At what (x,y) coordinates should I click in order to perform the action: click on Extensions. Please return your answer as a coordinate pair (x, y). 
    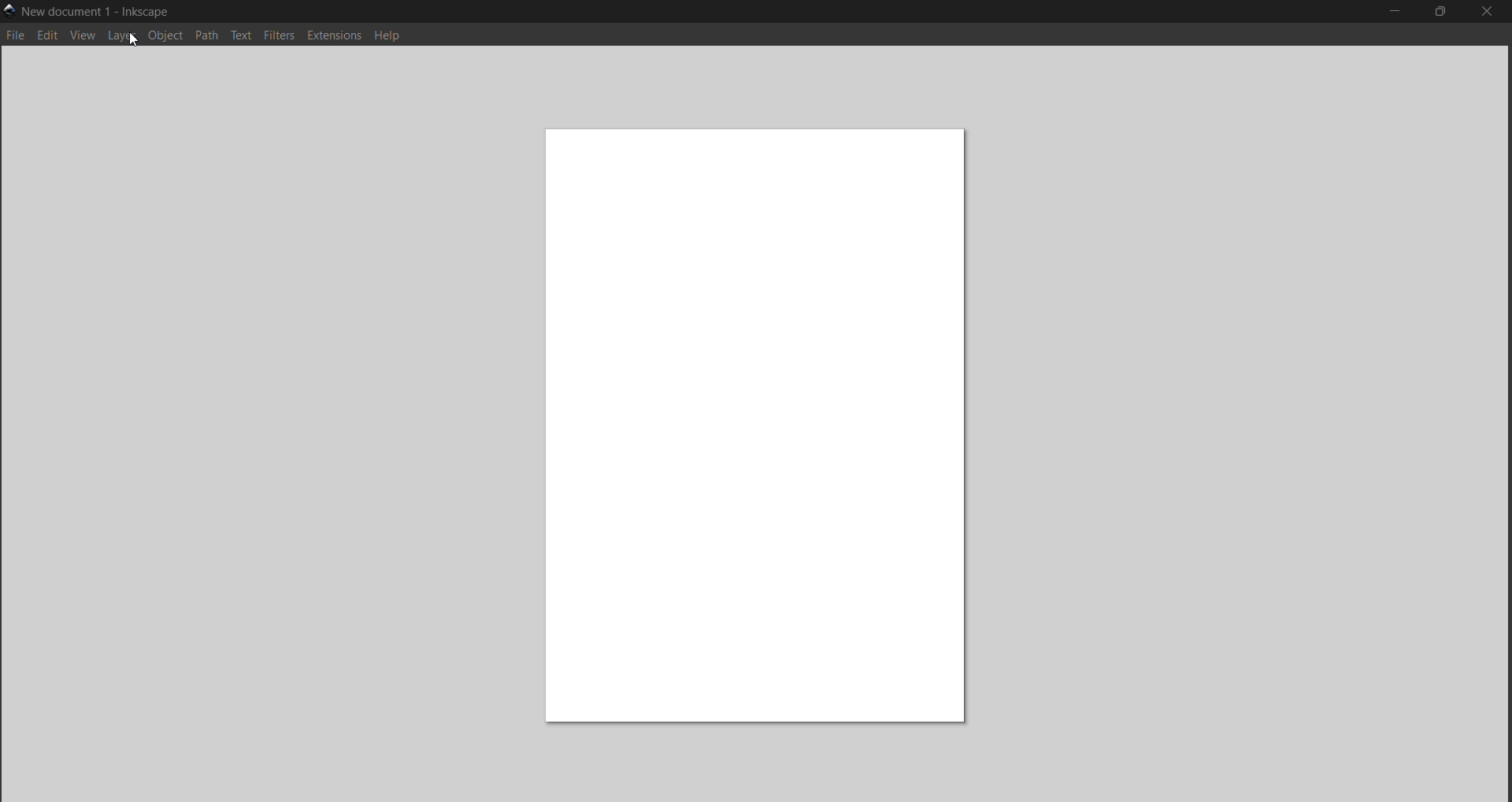
    Looking at the image, I should click on (336, 37).